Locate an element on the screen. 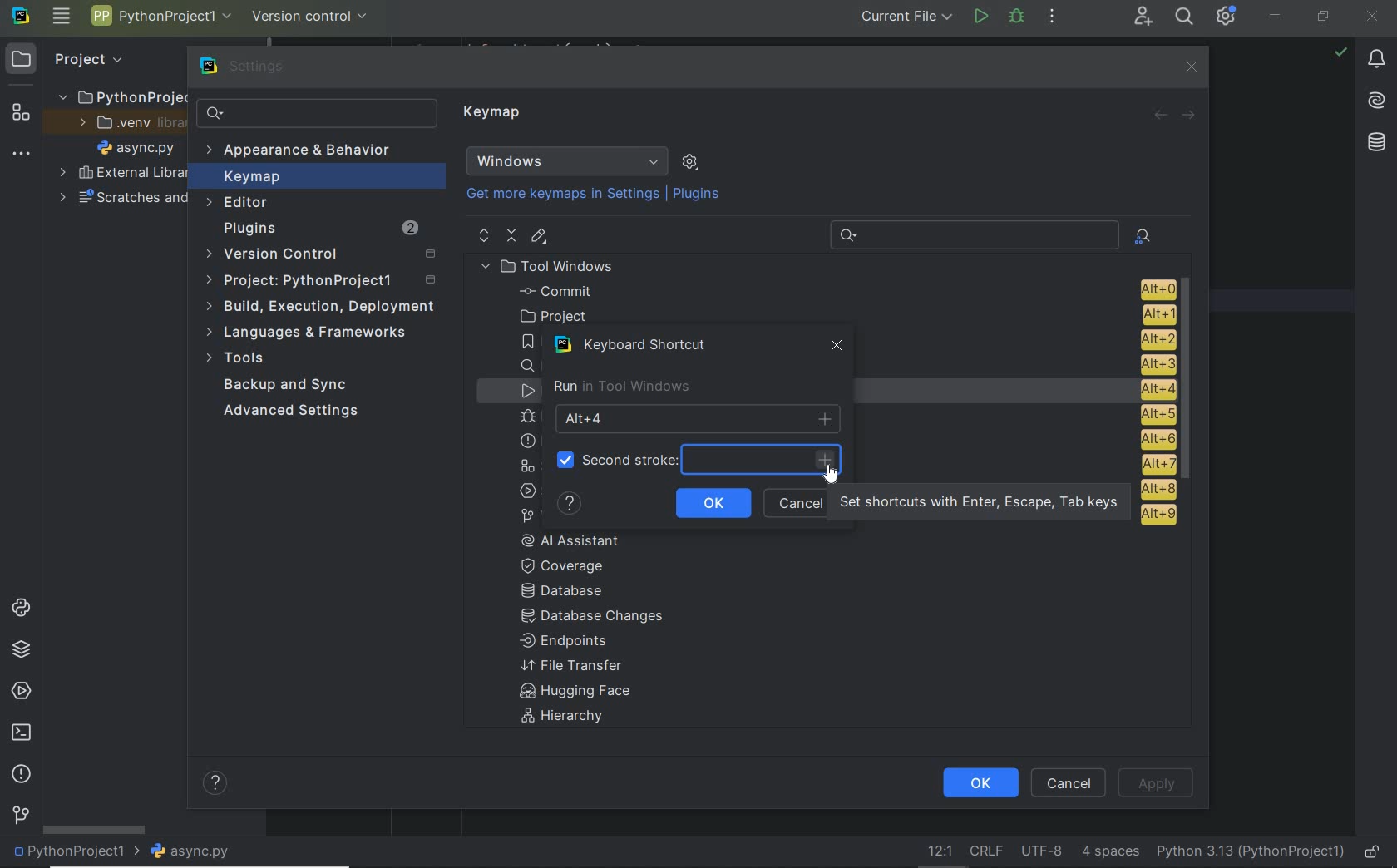 This screenshot has height=868, width=1397. Windows is located at coordinates (567, 161).